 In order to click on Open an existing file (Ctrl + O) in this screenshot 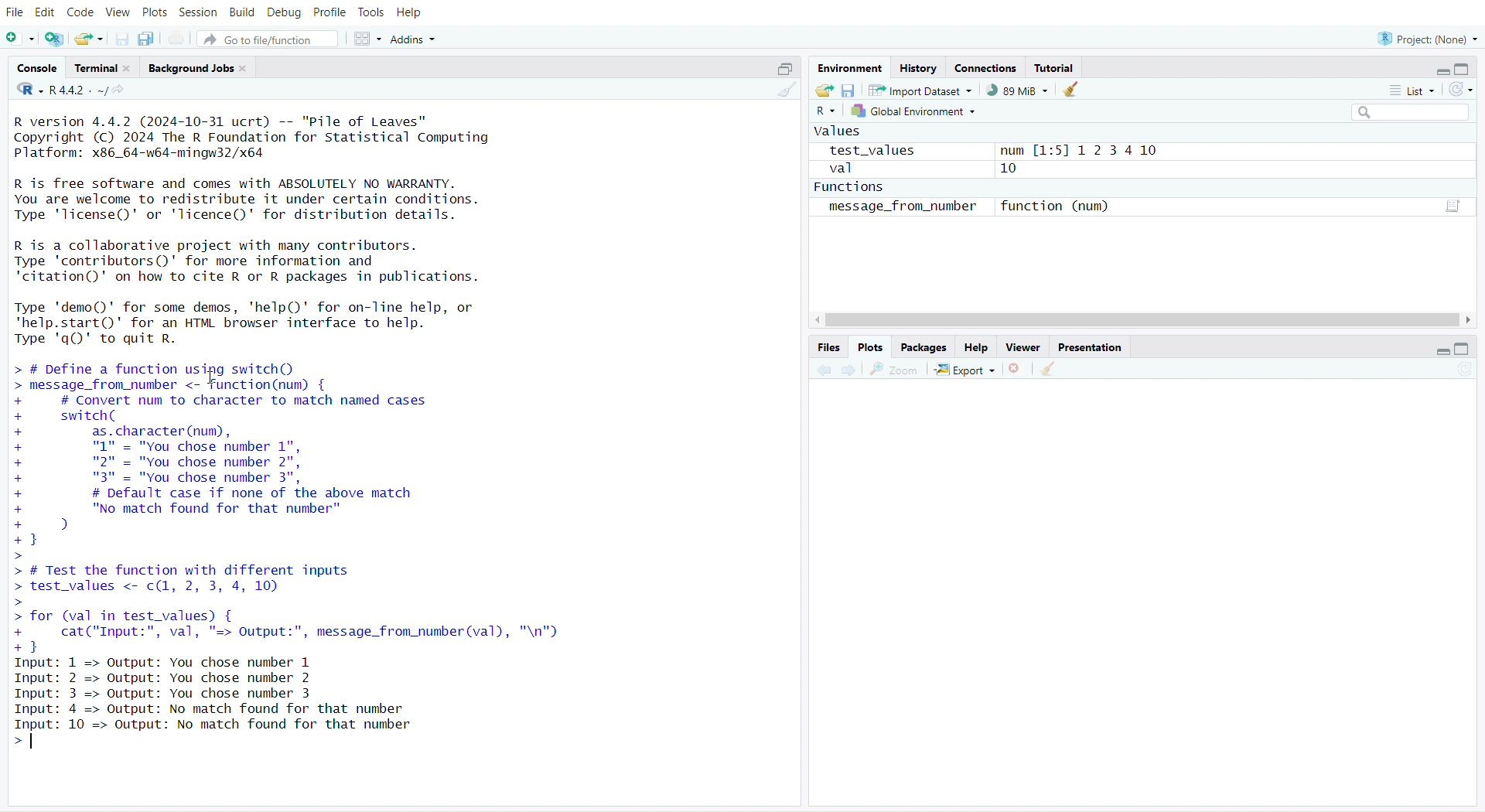, I will do `click(88, 39)`.